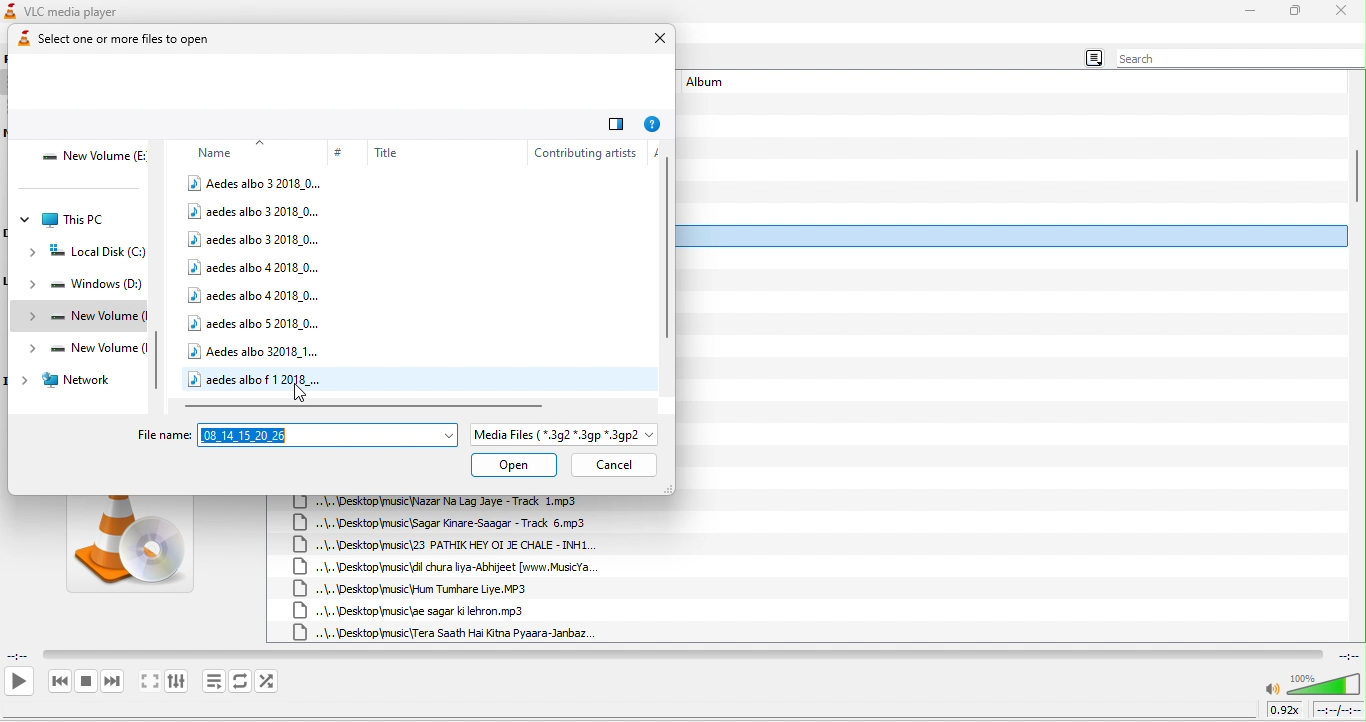 This screenshot has height=722, width=1366. What do you see at coordinates (149, 683) in the screenshot?
I see `toggle the video in  fullscreen` at bounding box center [149, 683].